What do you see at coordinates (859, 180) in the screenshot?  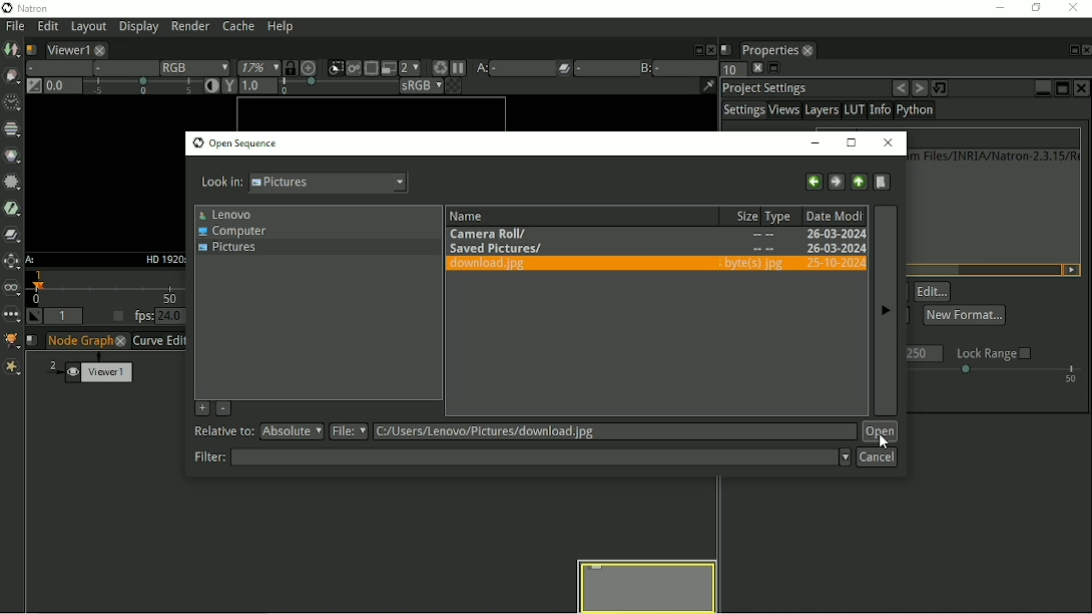 I see `Go to parent directory` at bounding box center [859, 180].